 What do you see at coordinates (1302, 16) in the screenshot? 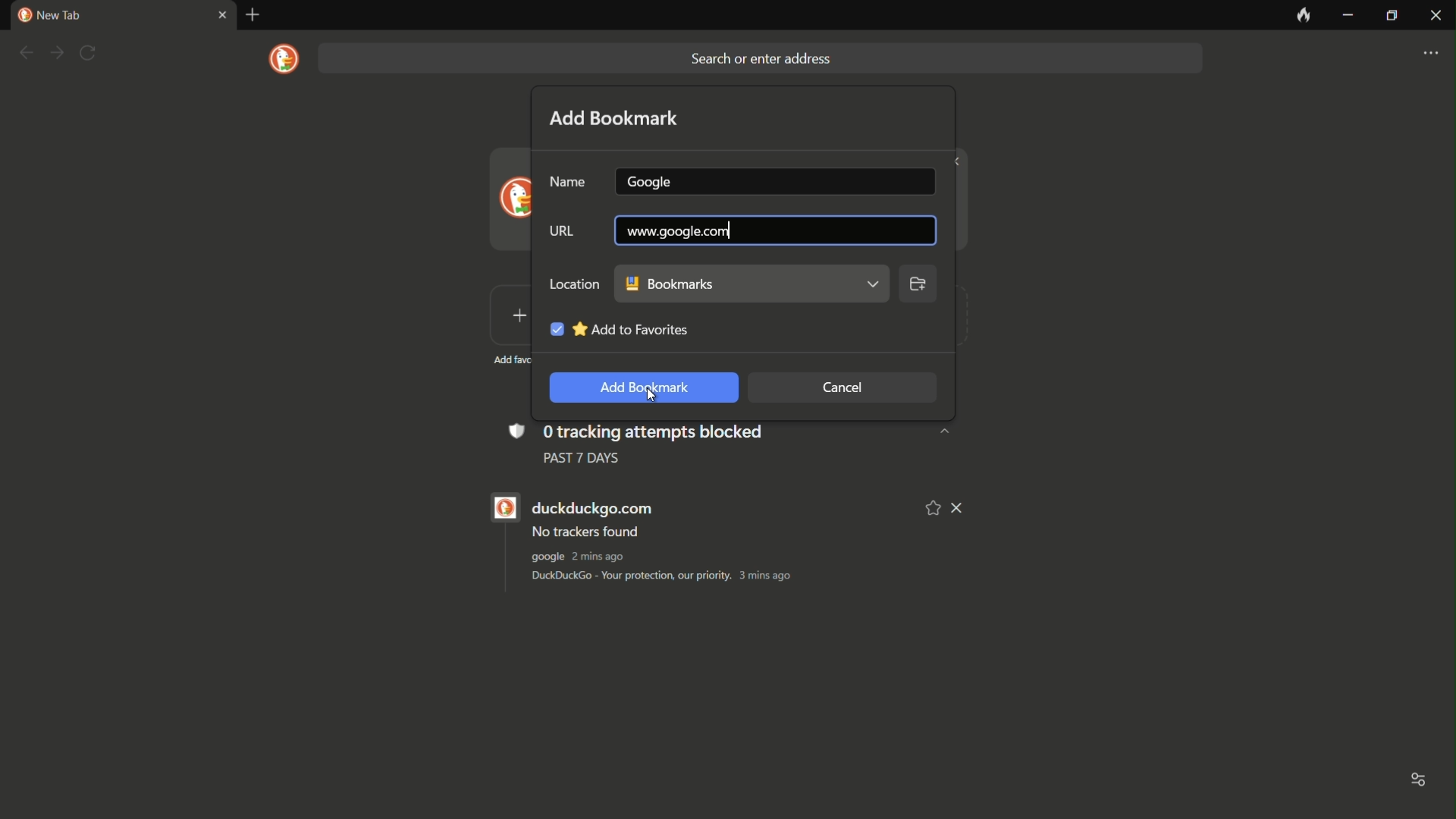
I see `leave no trace` at bounding box center [1302, 16].